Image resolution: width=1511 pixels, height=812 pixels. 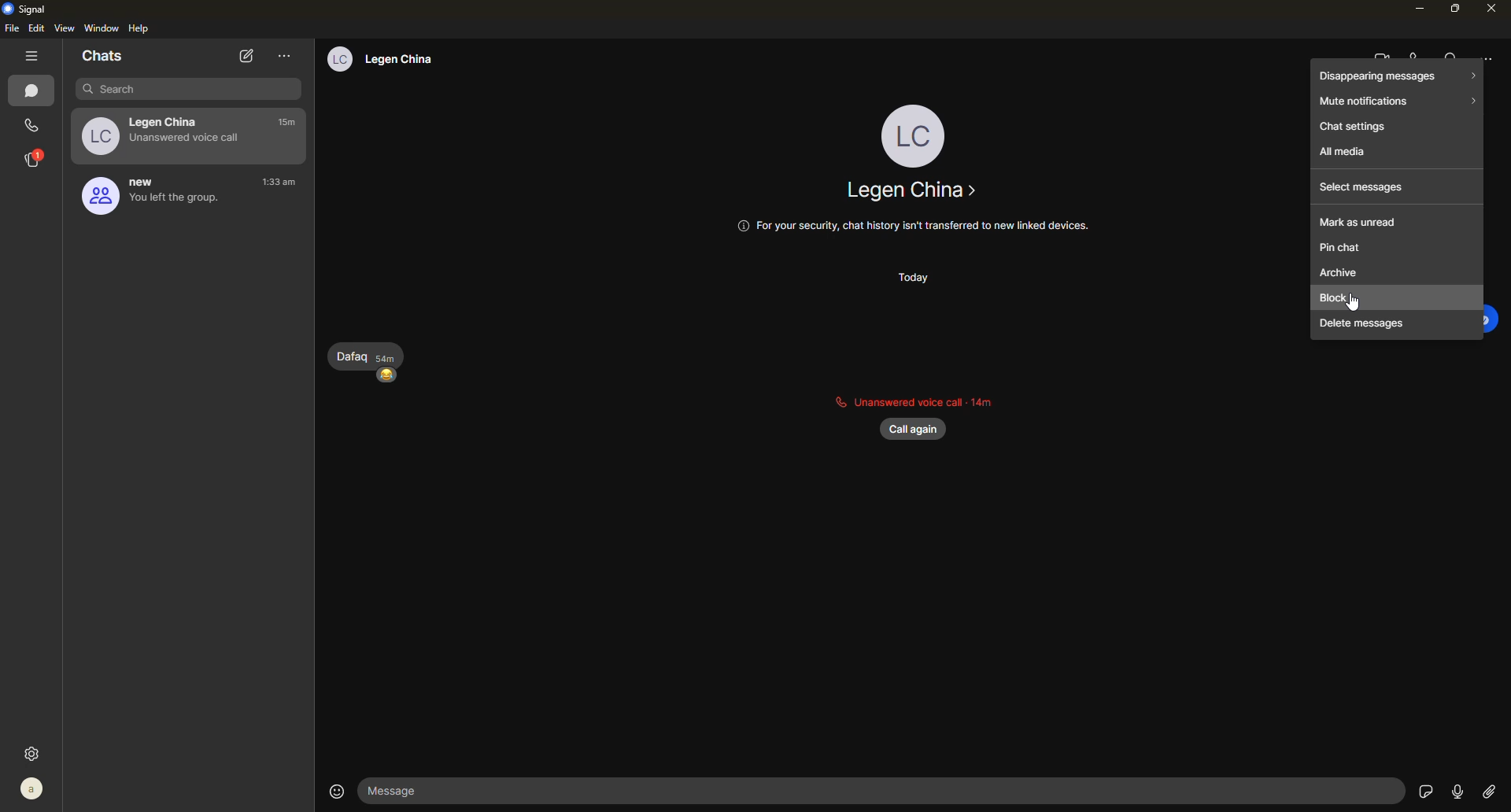 I want to click on today, so click(x=922, y=281).